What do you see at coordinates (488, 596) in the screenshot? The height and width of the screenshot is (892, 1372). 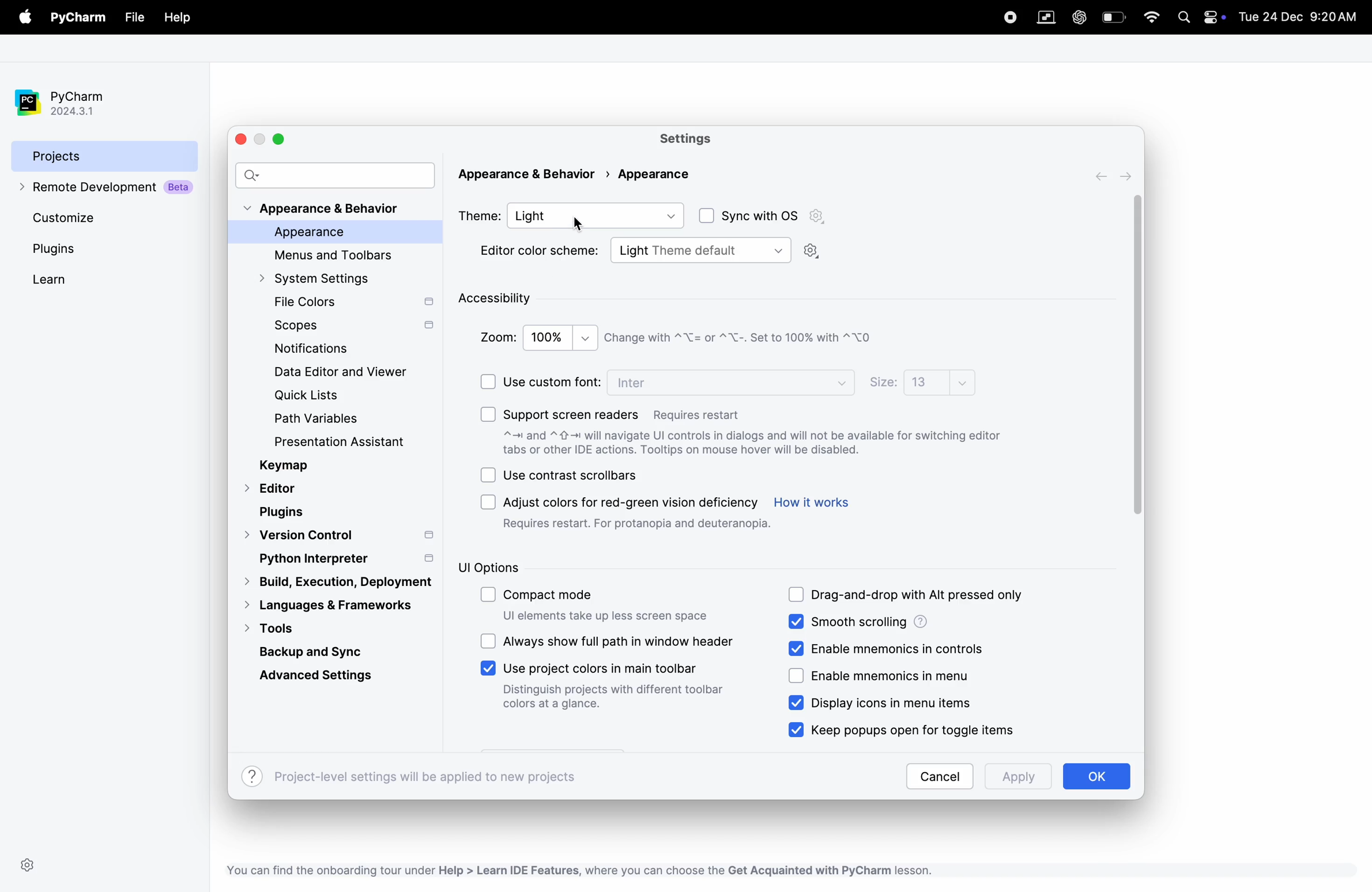 I see `check box` at bounding box center [488, 596].